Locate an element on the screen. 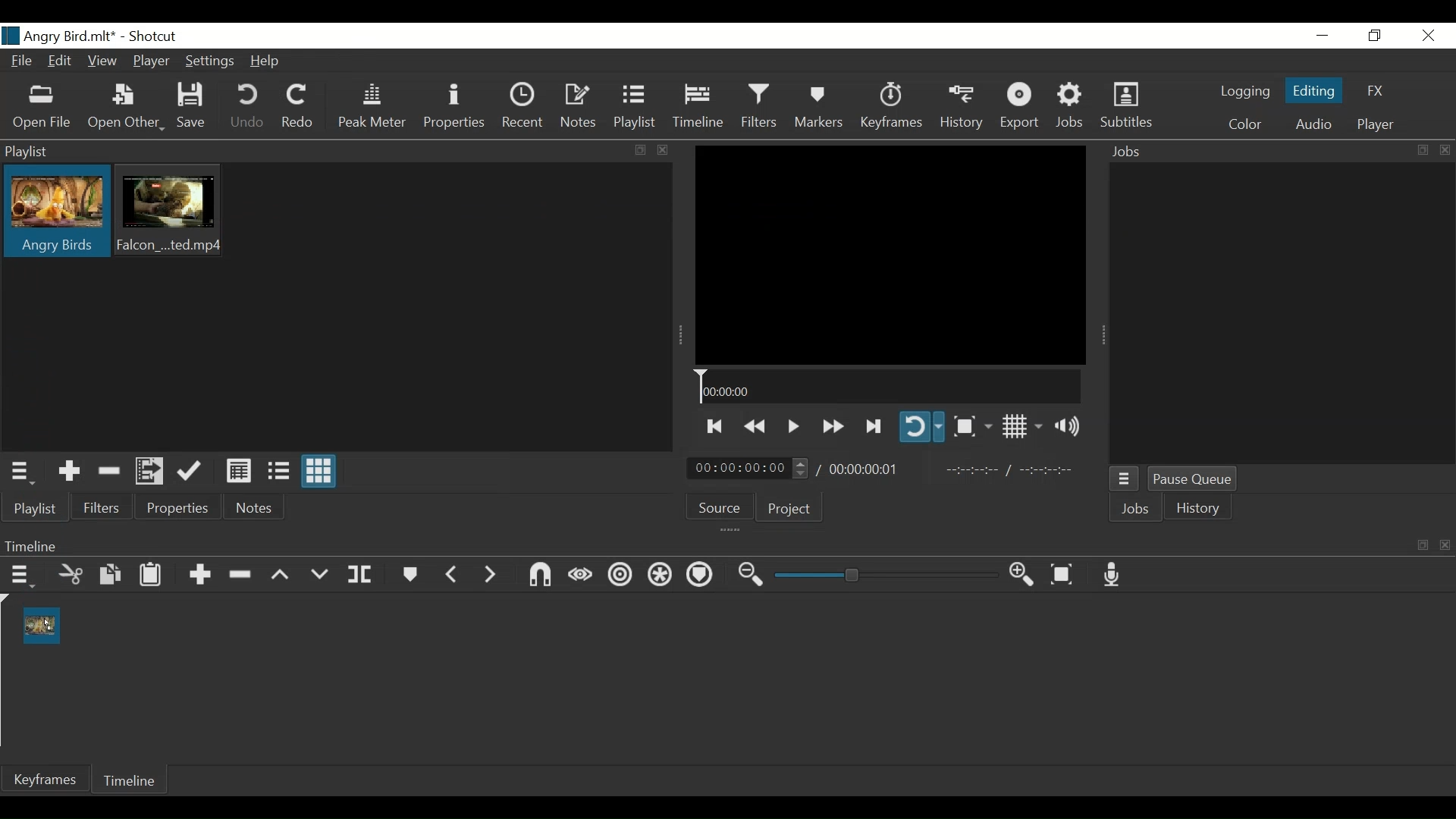  Next Marker is located at coordinates (490, 574).